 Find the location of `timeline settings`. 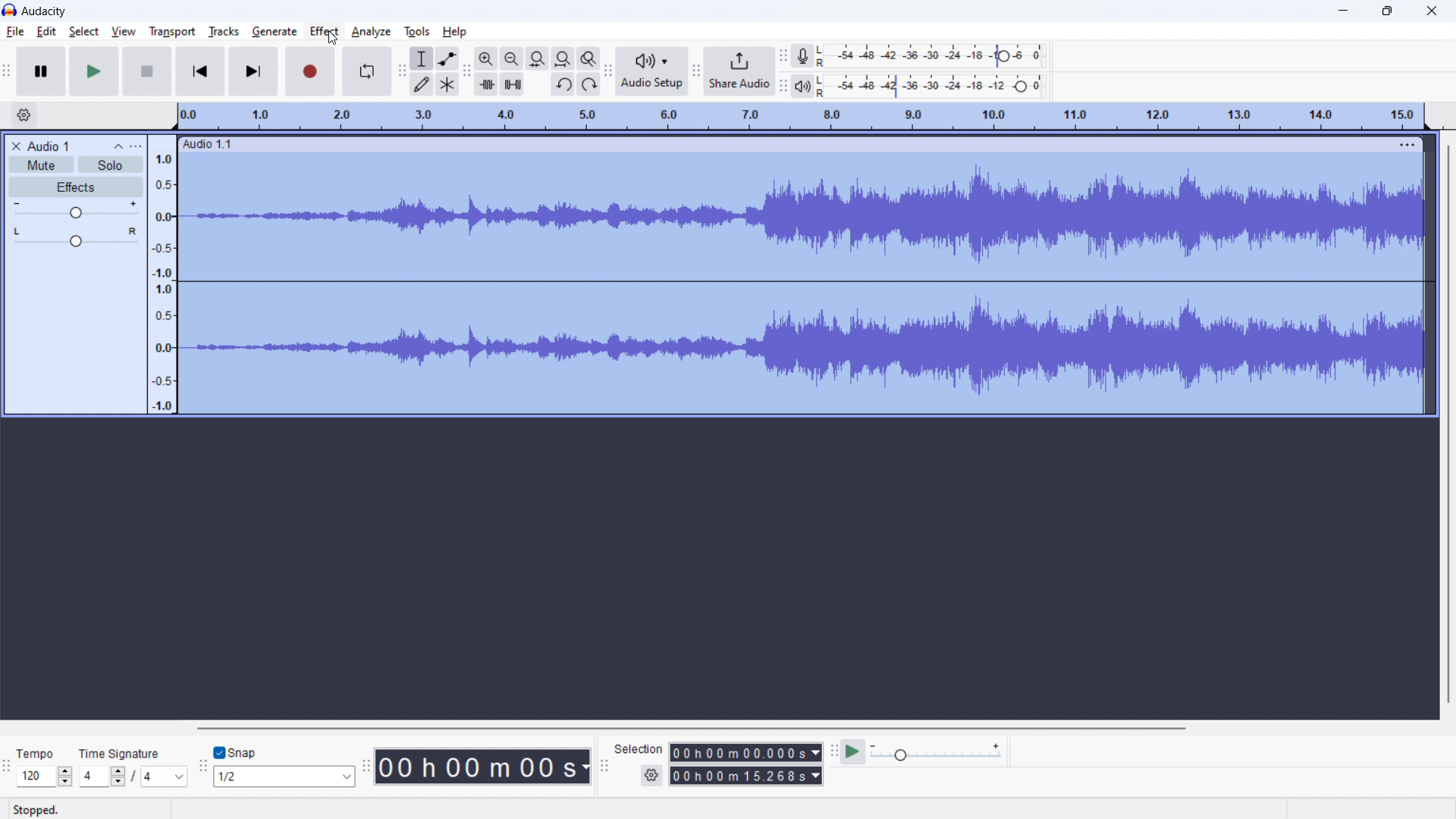

timeline settings is located at coordinates (24, 115).